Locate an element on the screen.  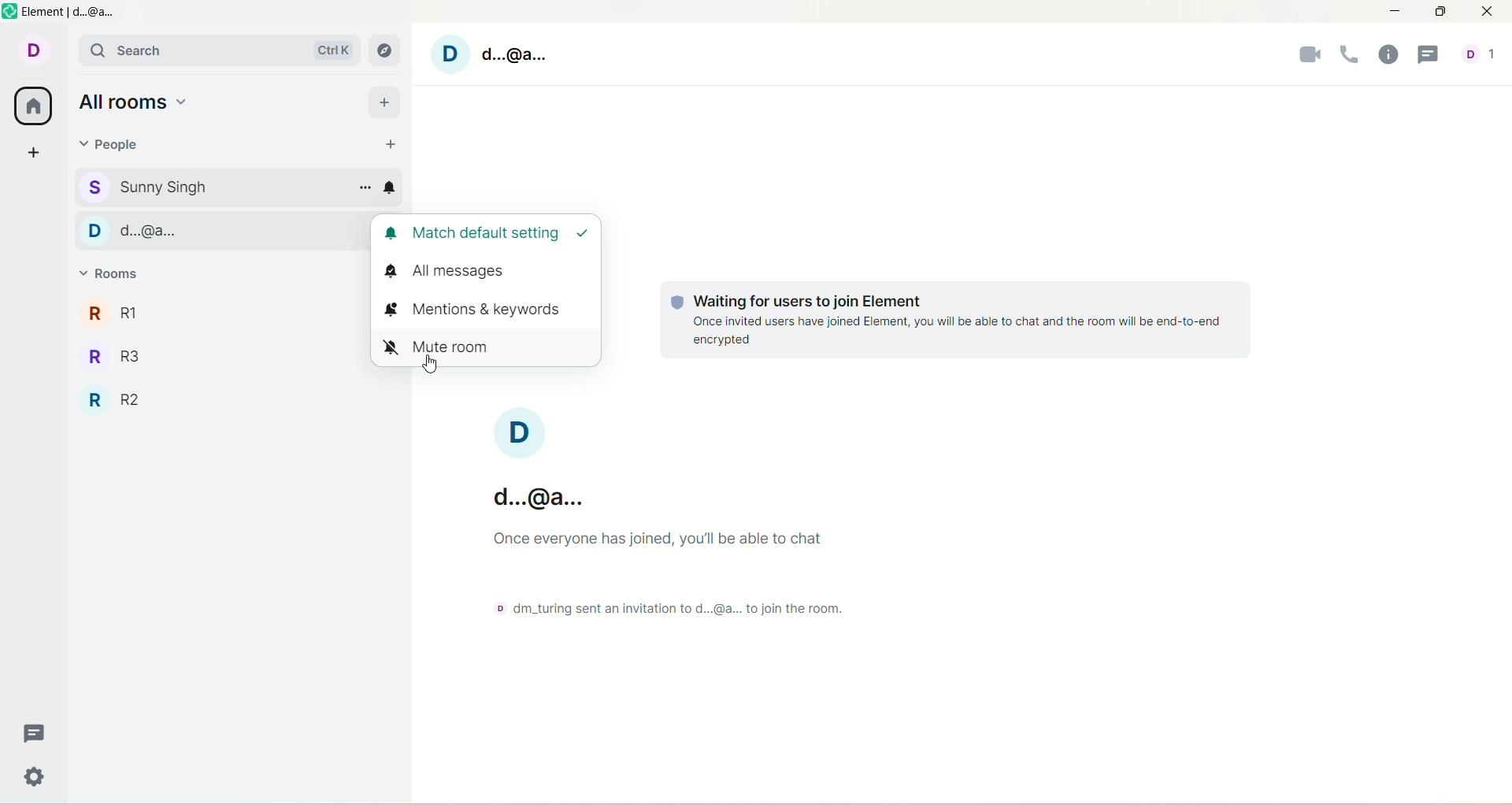
notification is located at coordinates (388, 187).